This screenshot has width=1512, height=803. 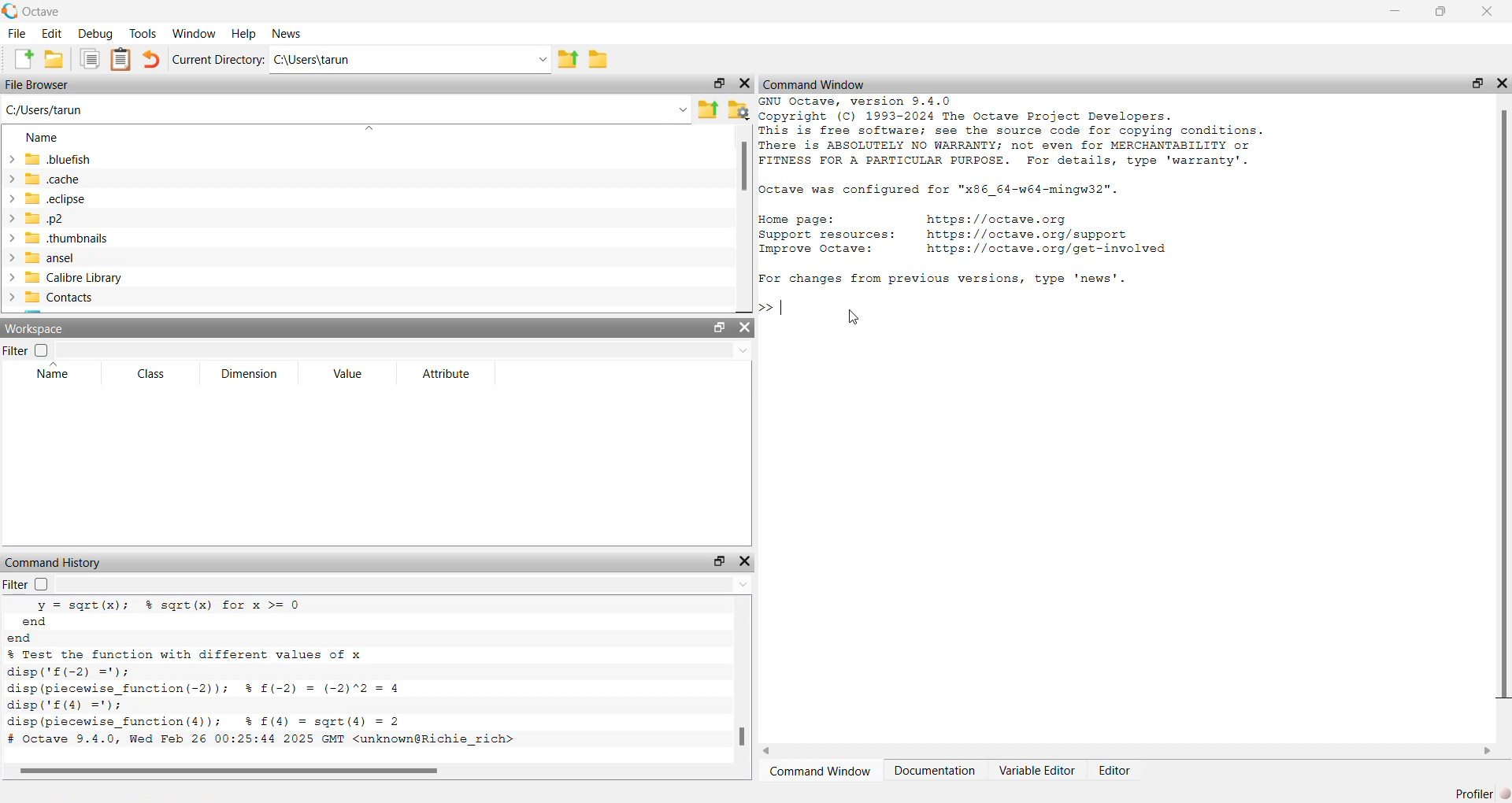 What do you see at coordinates (53, 559) in the screenshot?
I see `Command History` at bounding box center [53, 559].